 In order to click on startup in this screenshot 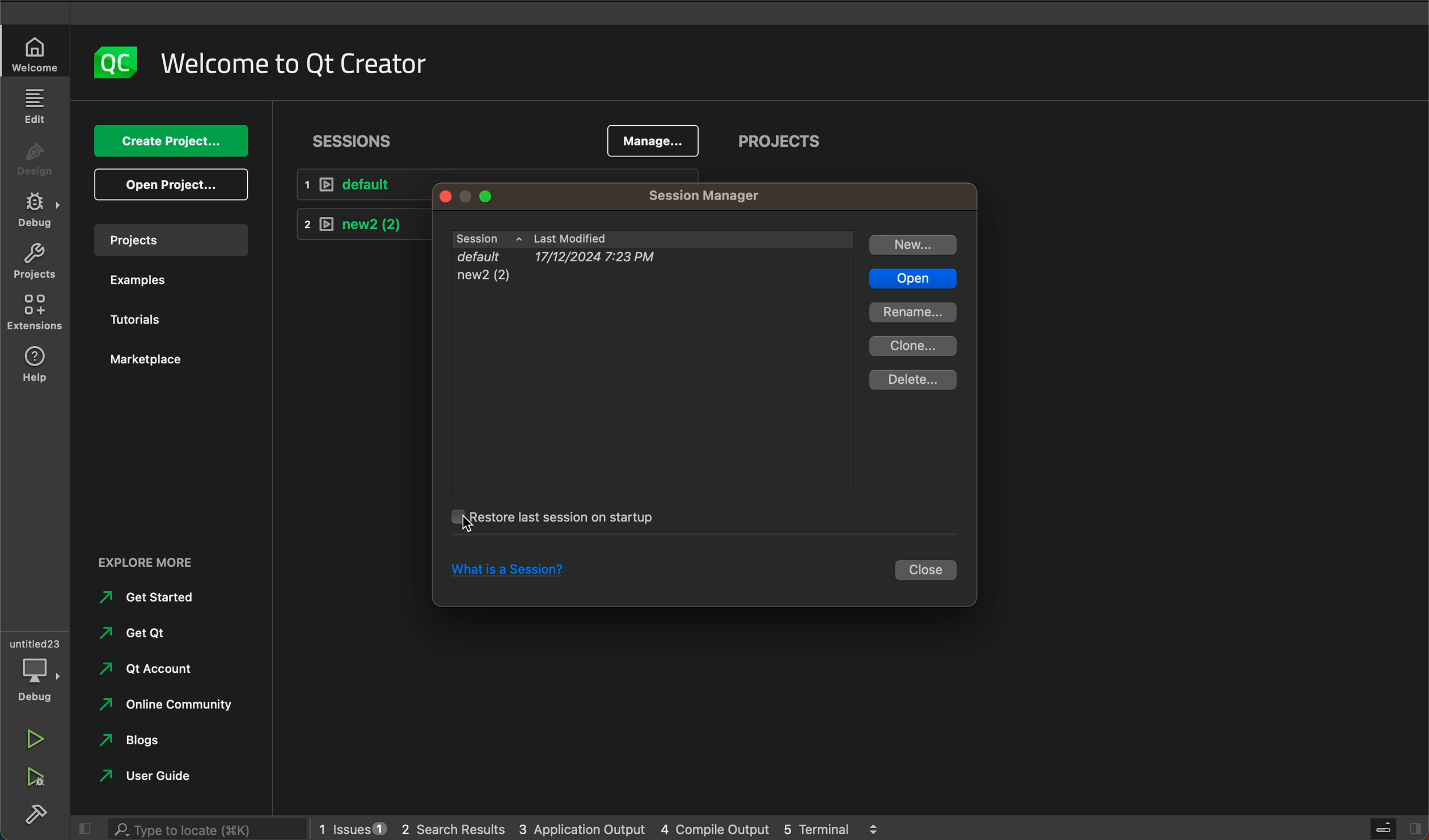, I will do `click(555, 516)`.